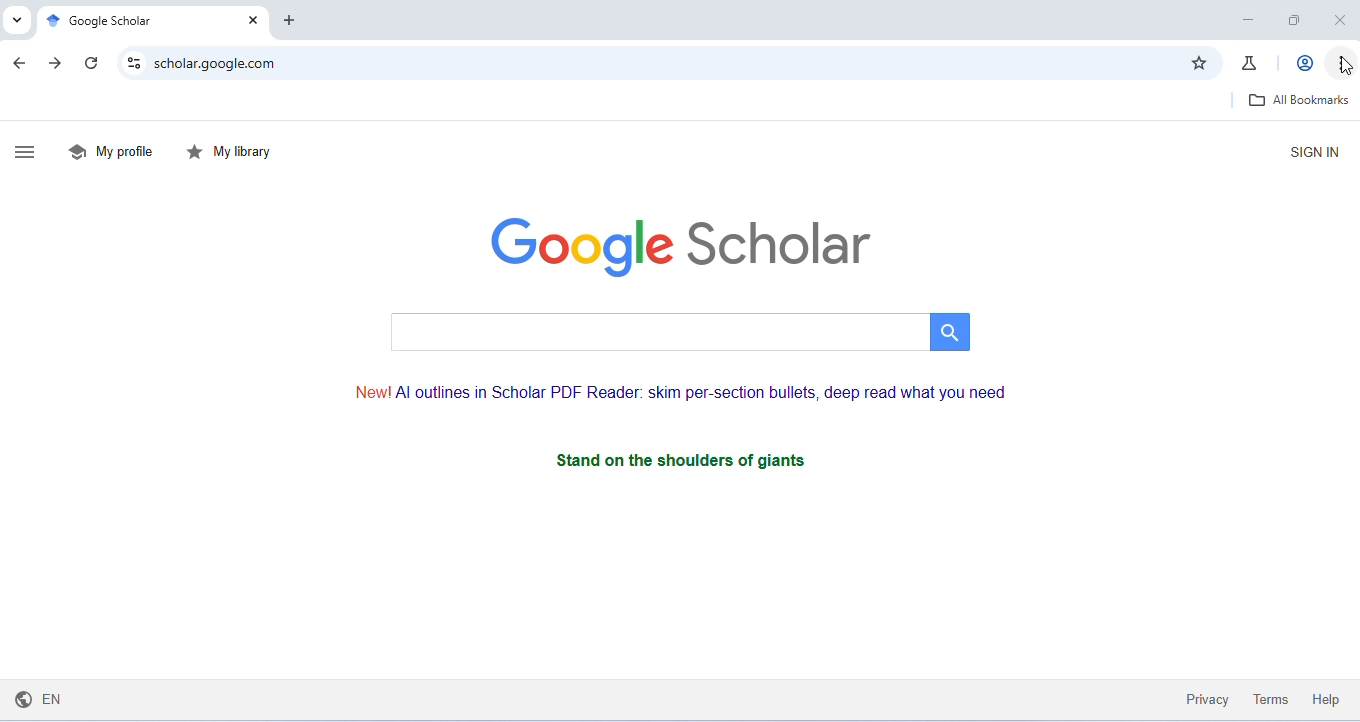  Describe the element at coordinates (136, 62) in the screenshot. I see `site settings` at that location.